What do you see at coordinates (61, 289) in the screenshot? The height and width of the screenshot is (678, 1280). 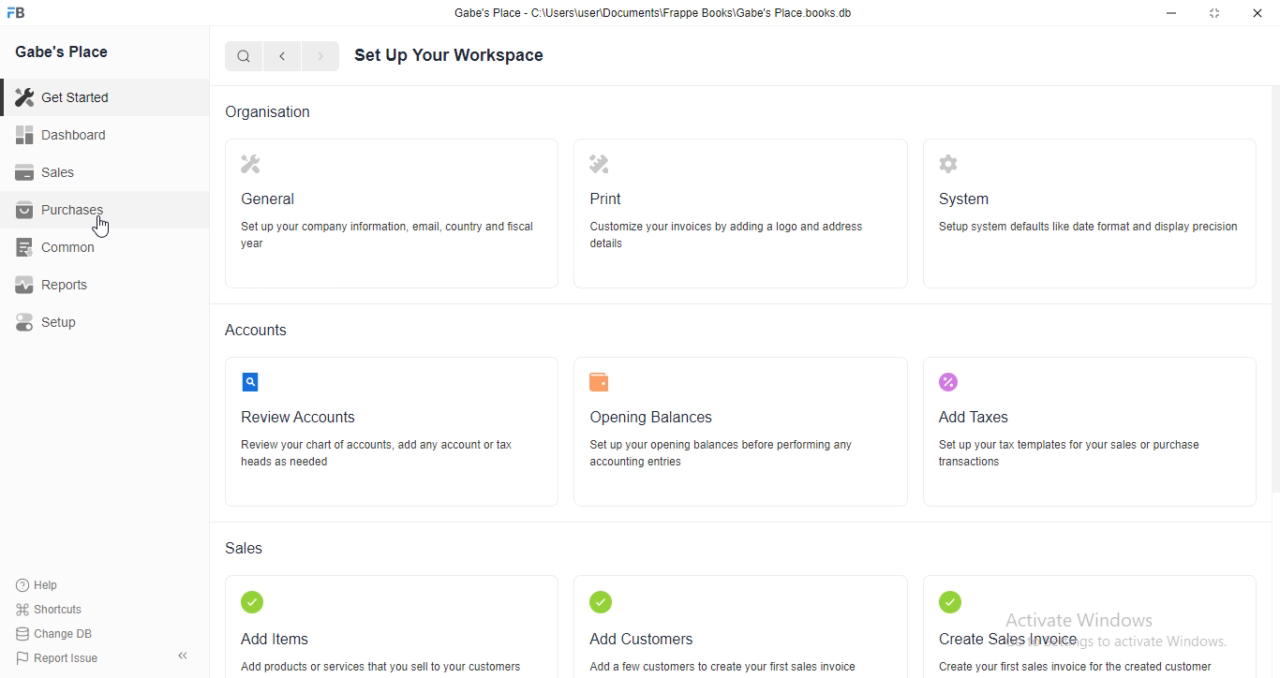 I see `Reports.` at bounding box center [61, 289].